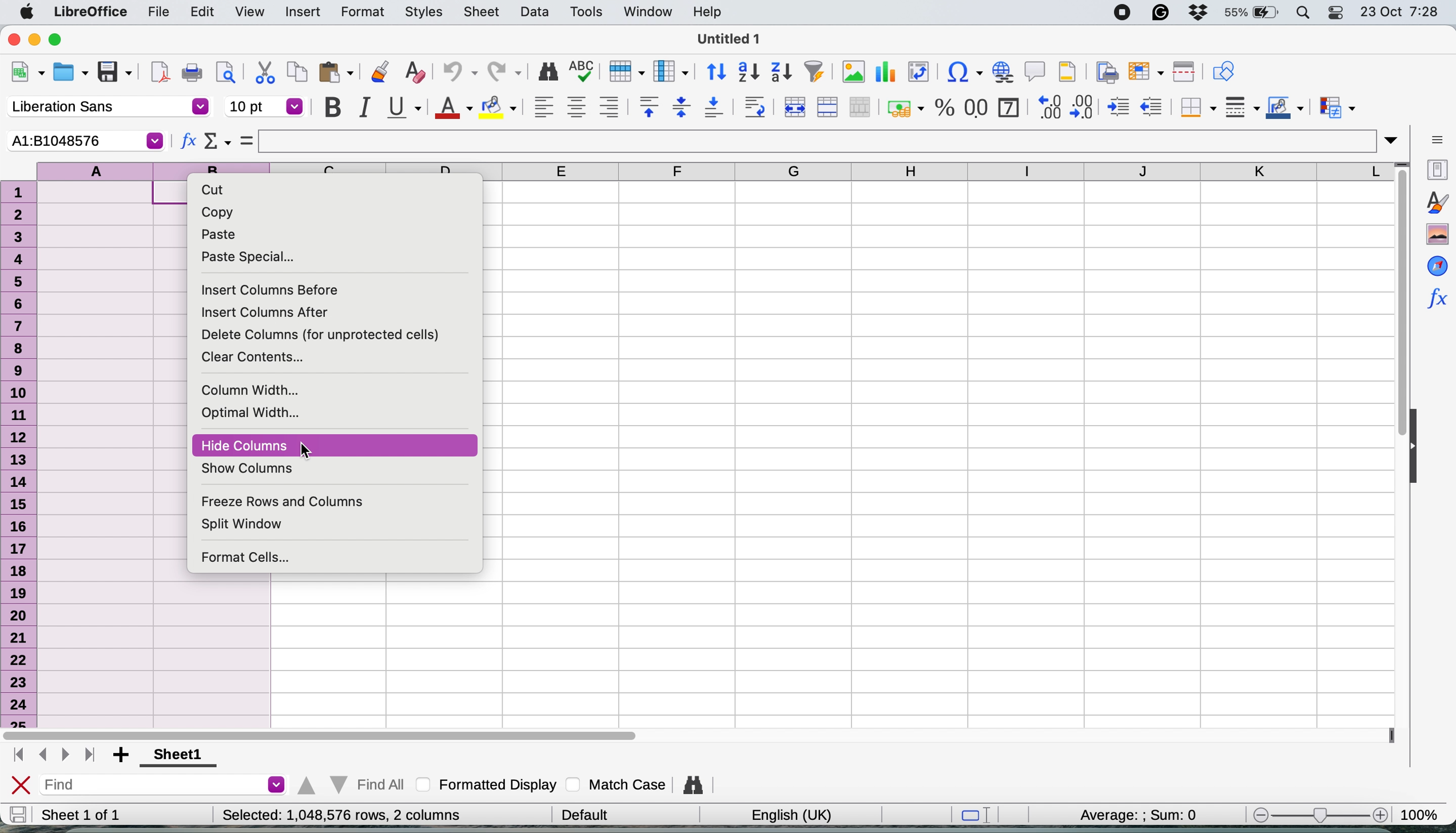  I want to click on properties, so click(1436, 169).